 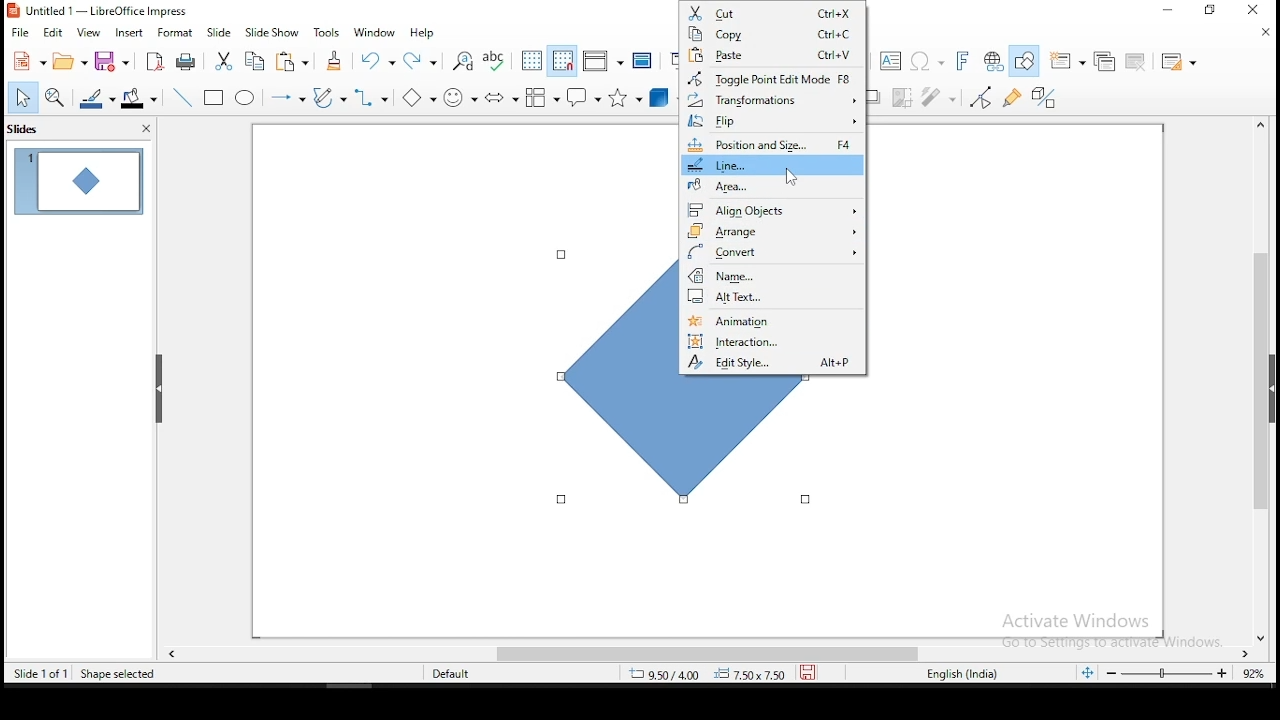 I want to click on callout shapes, so click(x=587, y=96).